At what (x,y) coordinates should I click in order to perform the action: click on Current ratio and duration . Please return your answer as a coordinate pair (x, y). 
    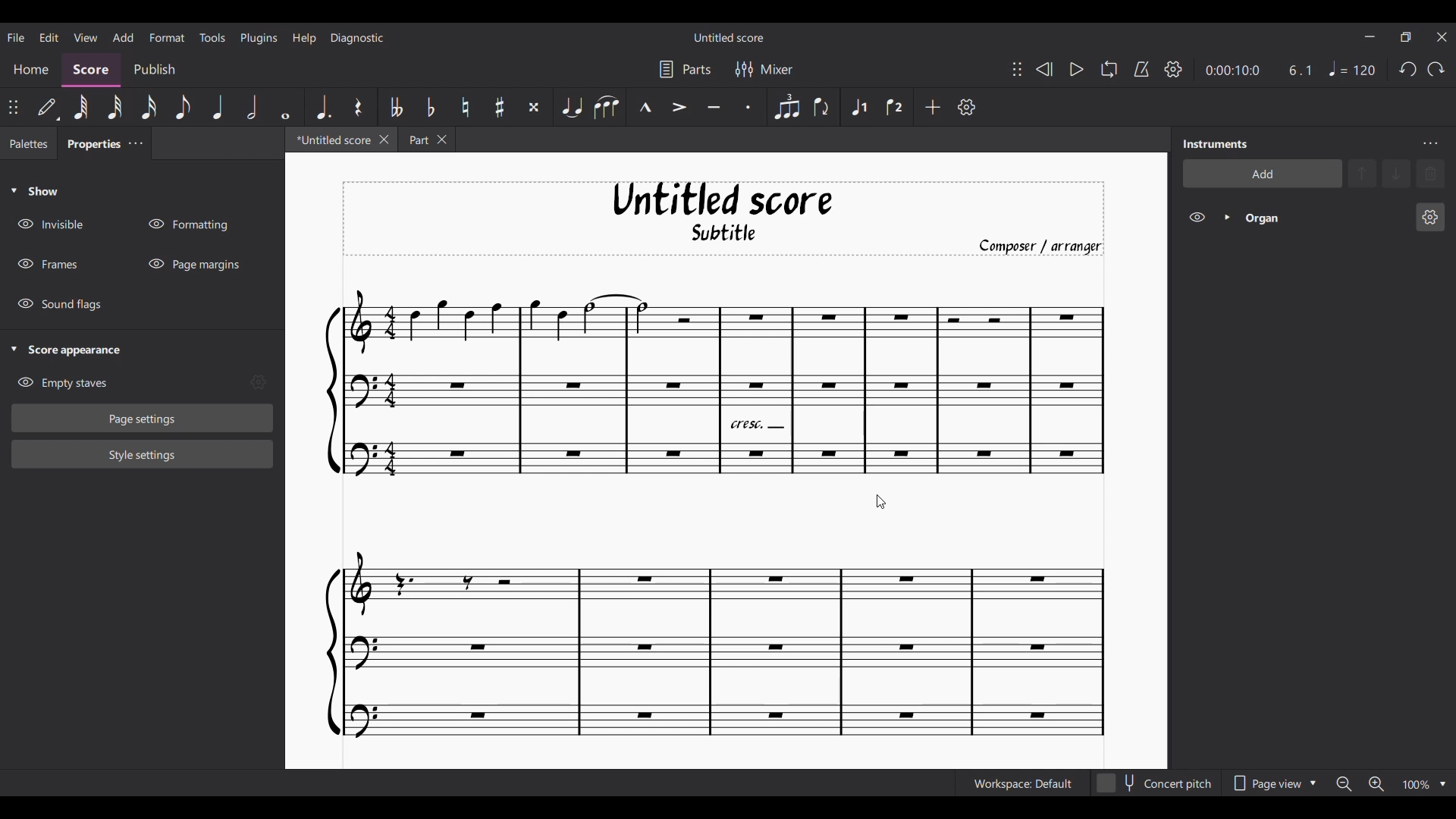
    Looking at the image, I should click on (1260, 71).